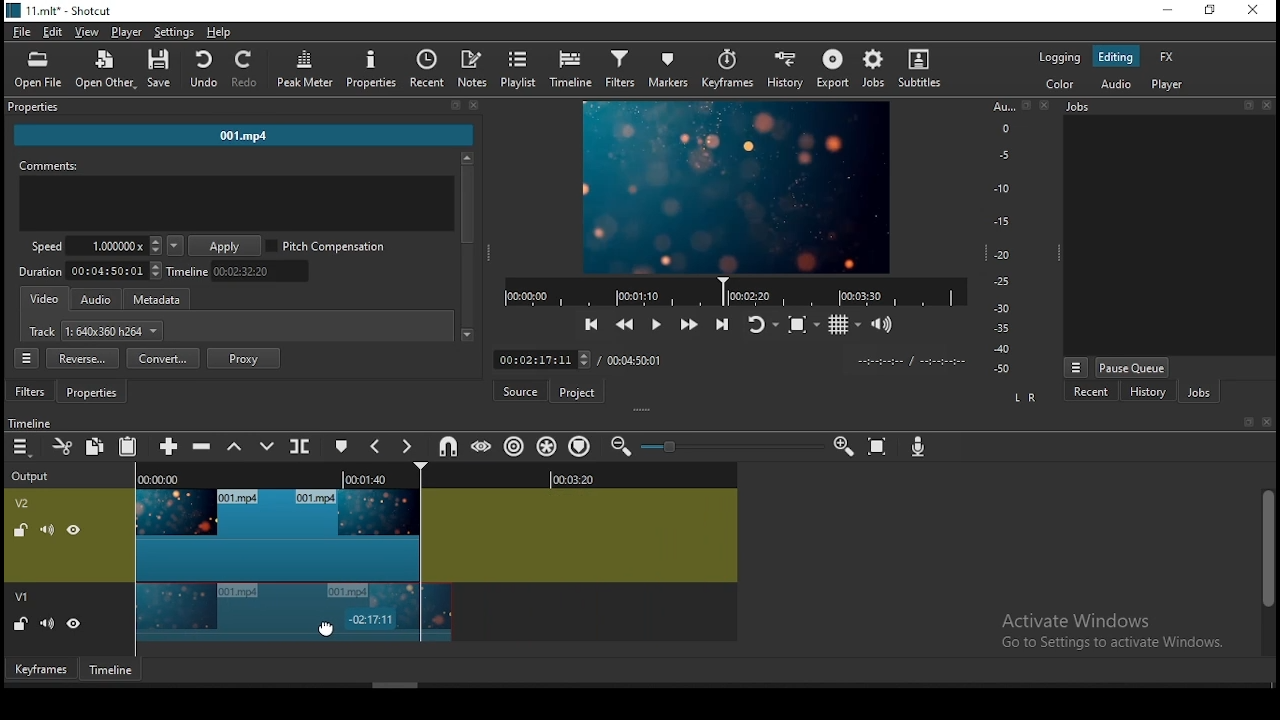 The image size is (1280, 720). Describe the element at coordinates (275, 534) in the screenshot. I see `video track V2 (split)` at that location.